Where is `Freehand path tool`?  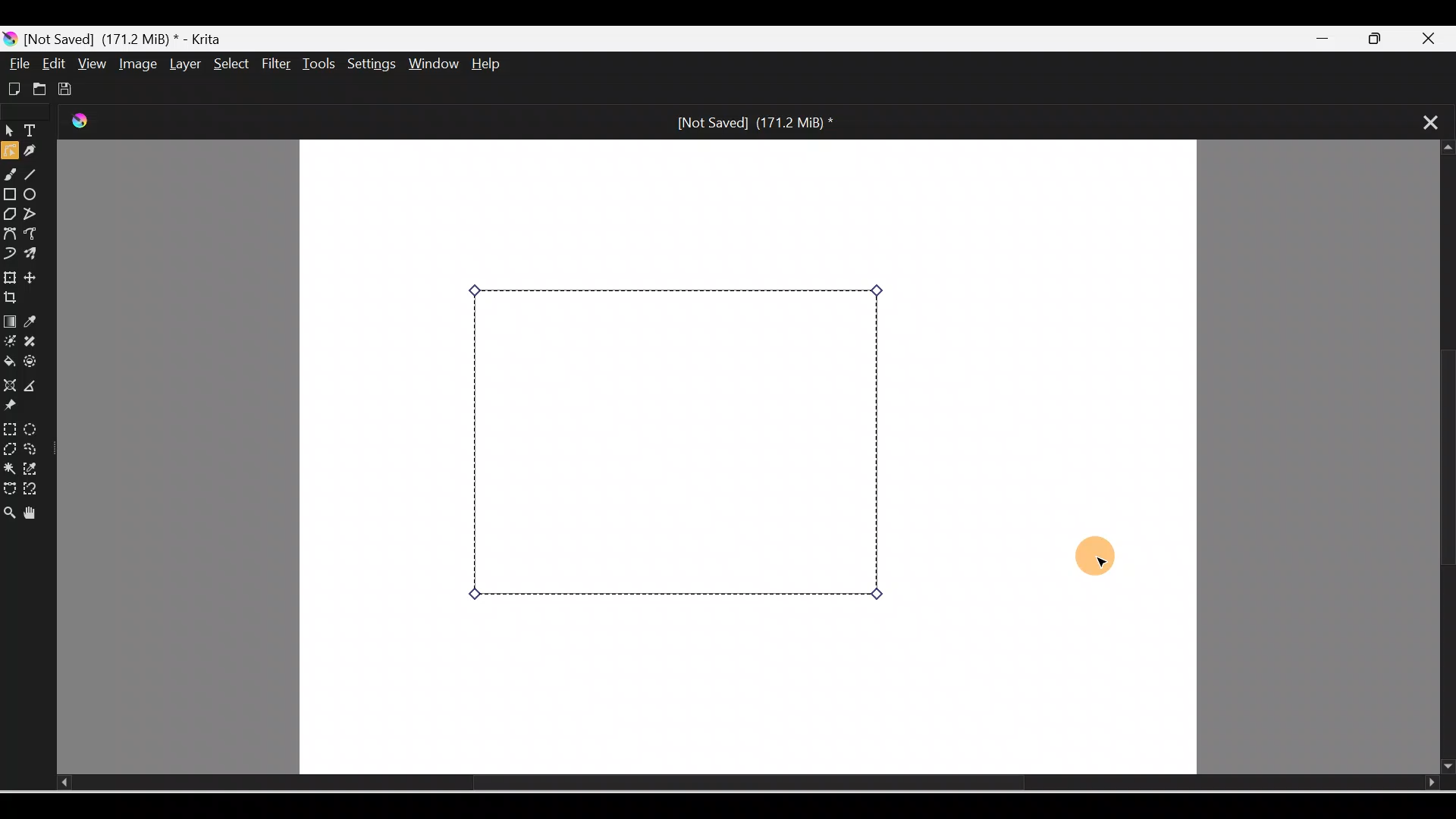 Freehand path tool is located at coordinates (35, 235).